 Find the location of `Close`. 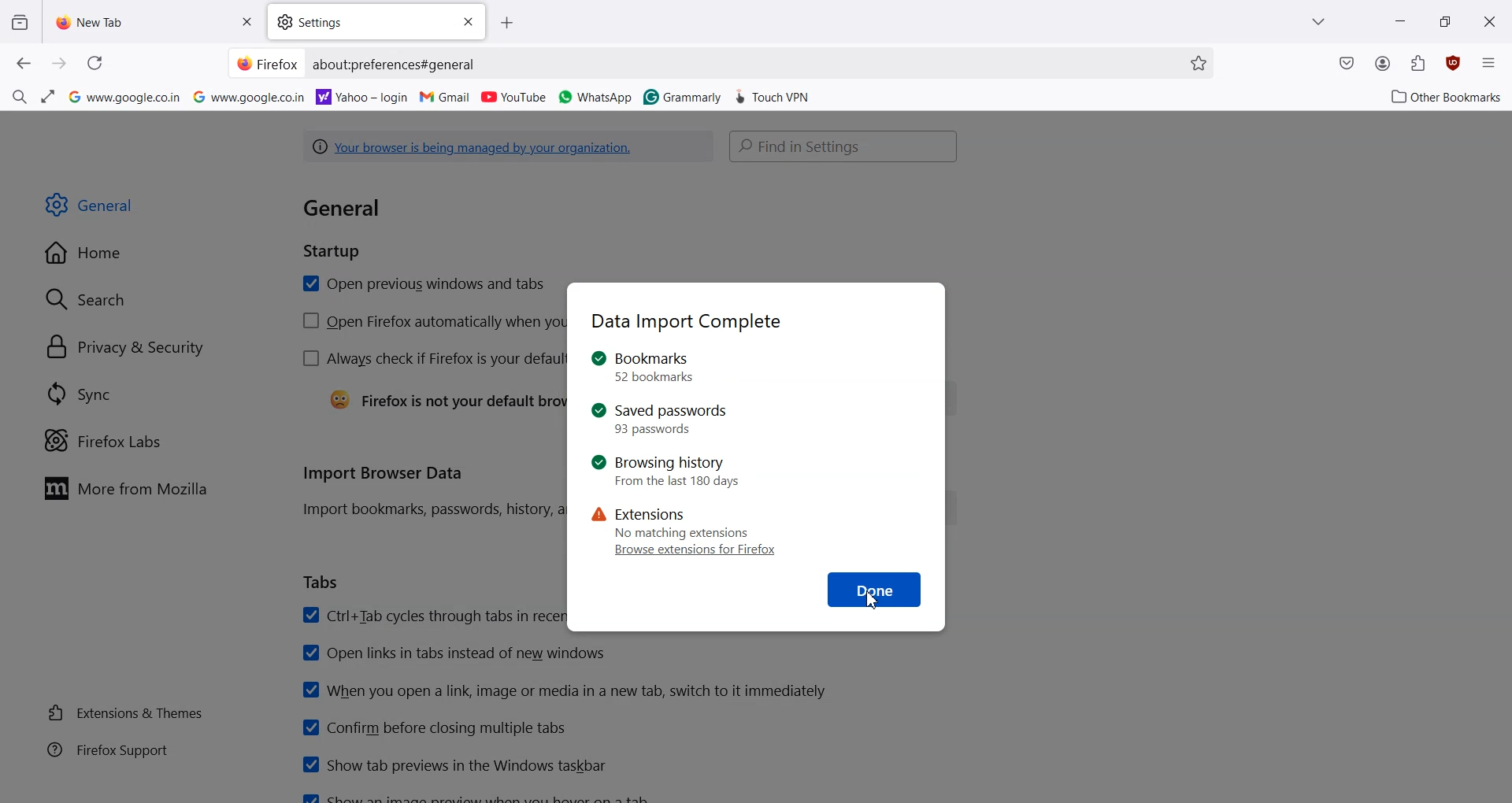

Close is located at coordinates (1491, 20).